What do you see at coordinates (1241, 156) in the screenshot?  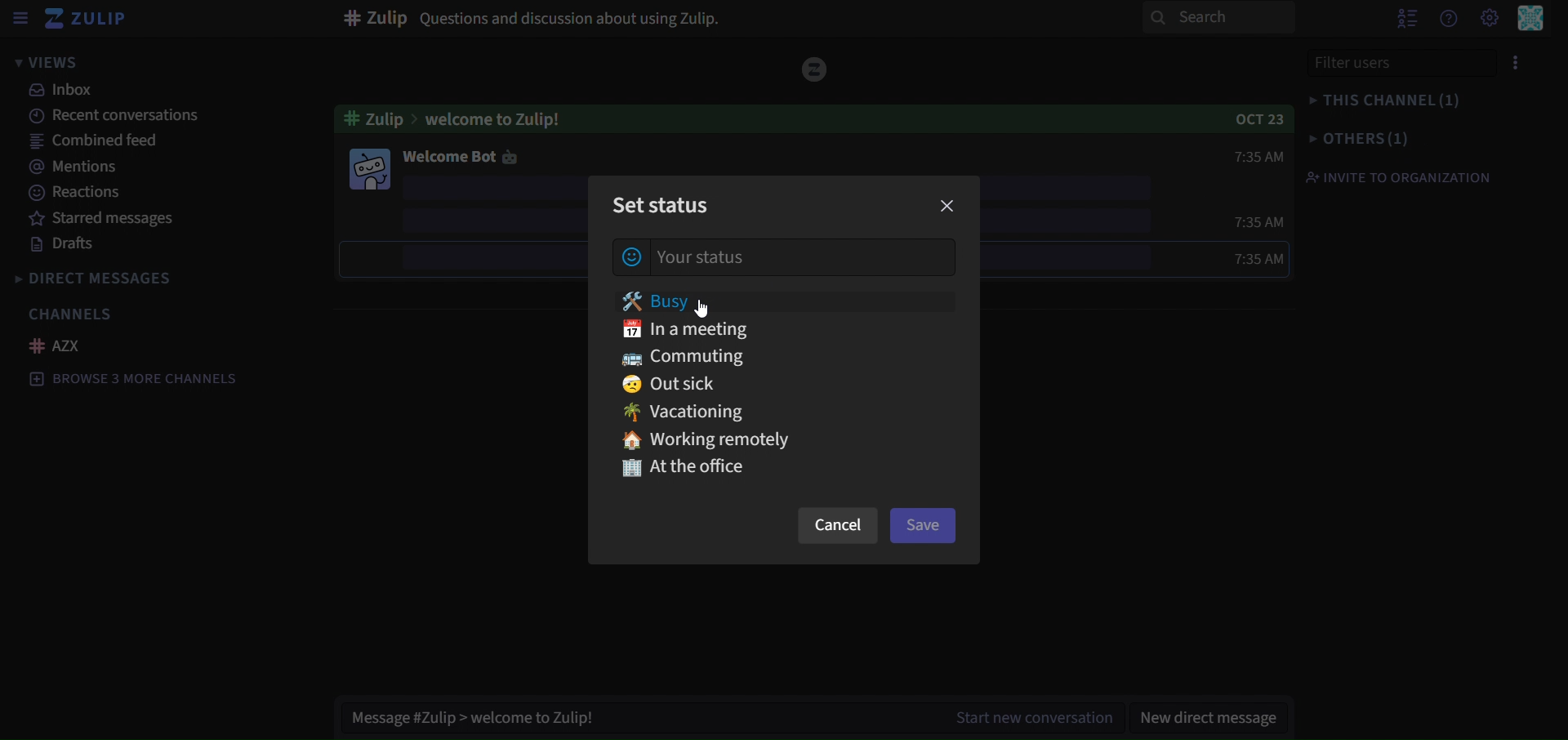 I see `7:35am` at bounding box center [1241, 156].